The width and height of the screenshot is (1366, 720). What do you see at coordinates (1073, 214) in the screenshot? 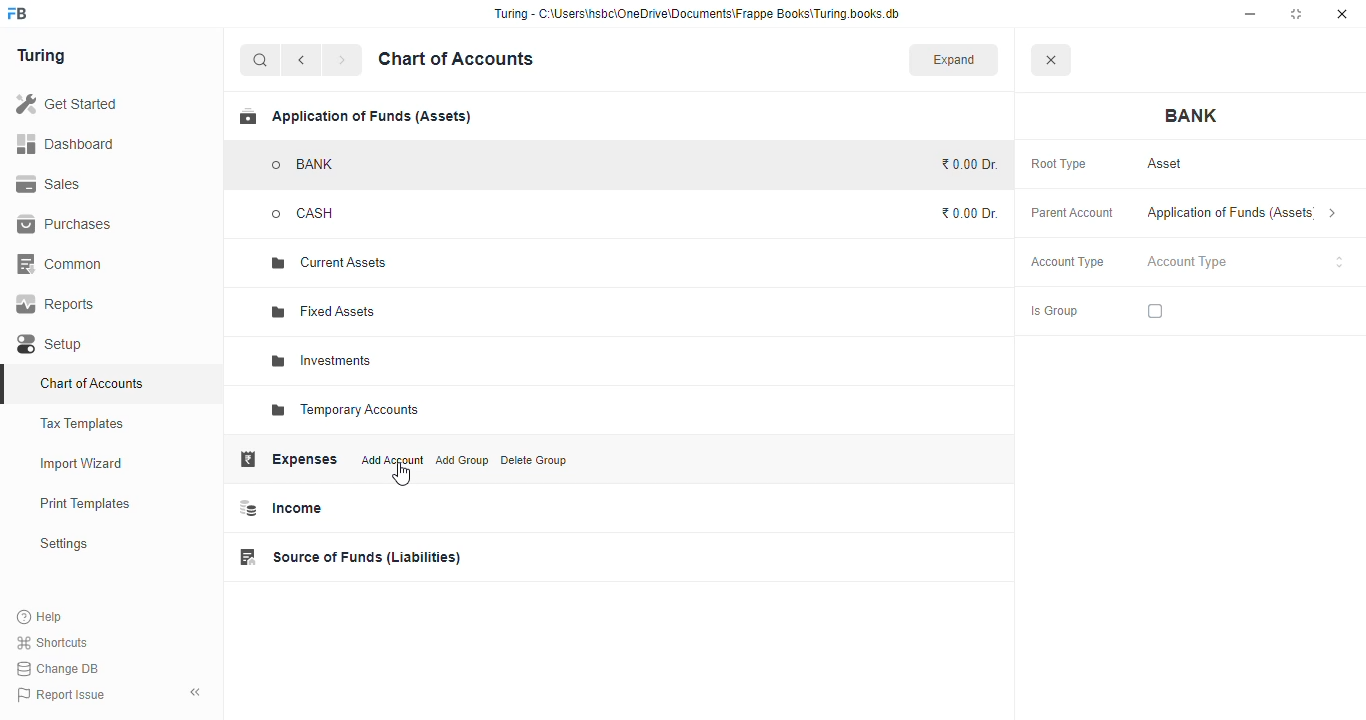
I see `parent account` at bounding box center [1073, 214].